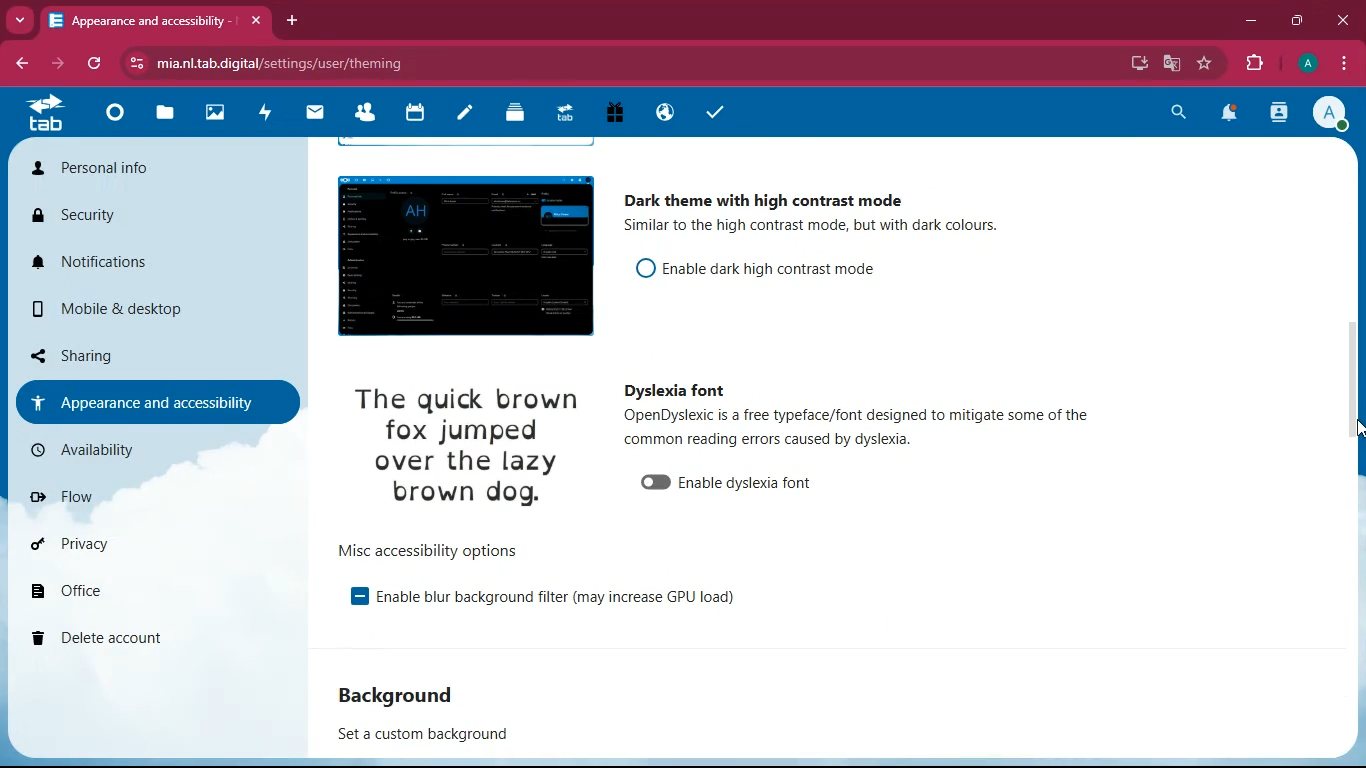 This screenshot has width=1366, height=768. What do you see at coordinates (1137, 65) in the screenshot?
I see `desktop` at bounding box center [1137, 65].